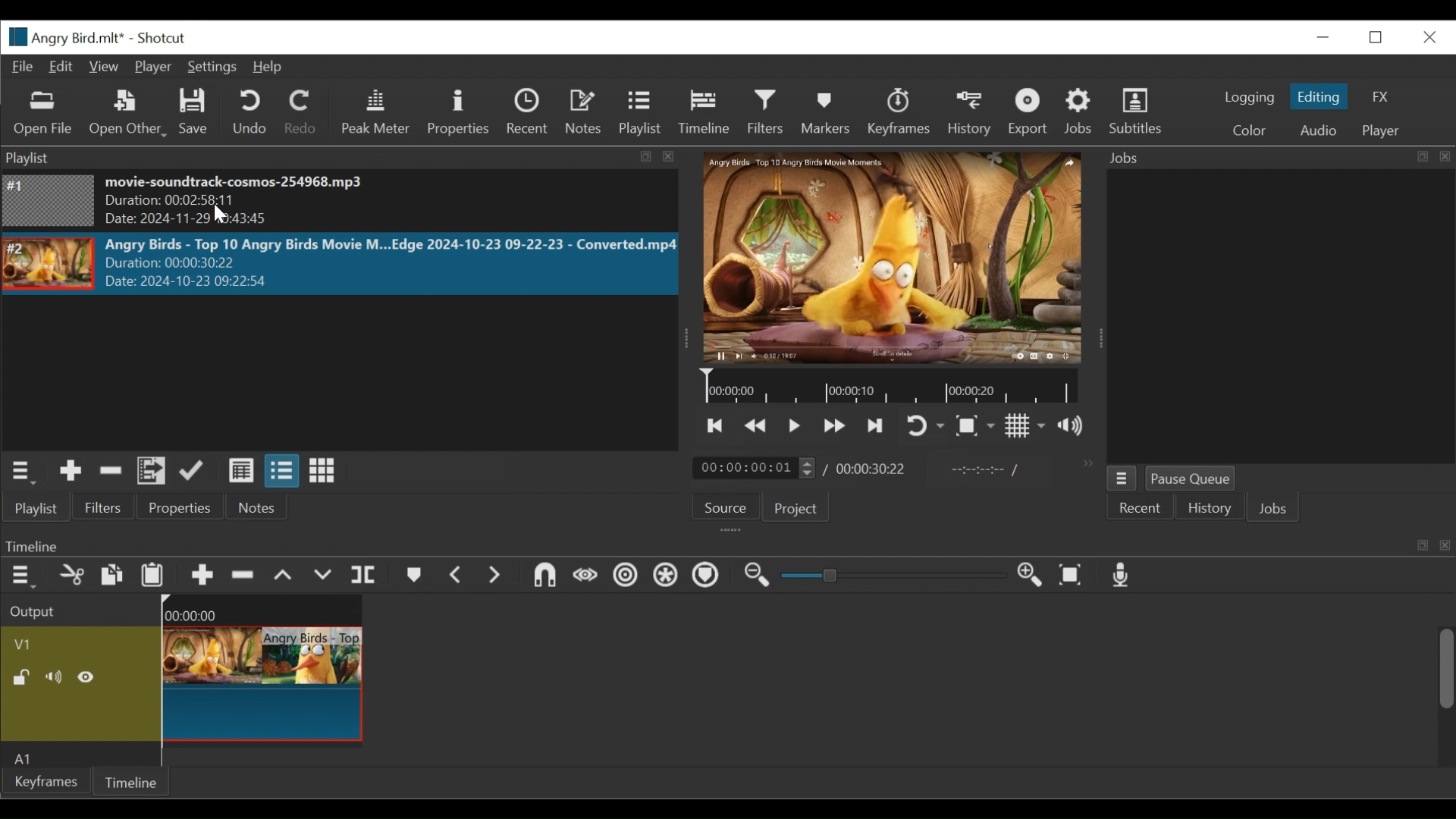  What do you see at coordinates (1378, 36) in the screenshot?
I see `Restore` at bounding box center [1378, 36].